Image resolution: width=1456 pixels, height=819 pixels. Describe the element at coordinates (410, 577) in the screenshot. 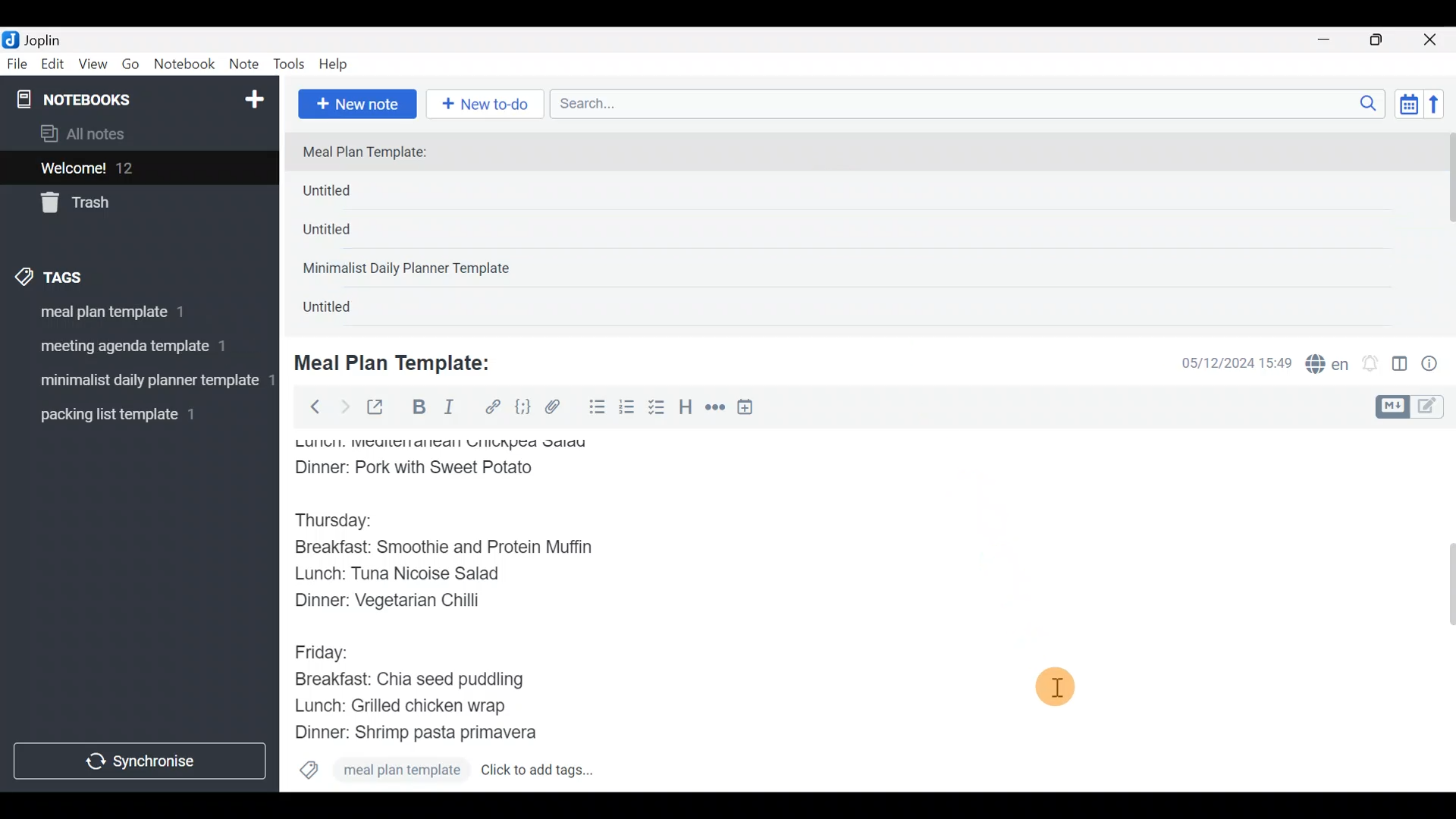

I see `Lunch: Tuna Nicoise Salad` at that location.